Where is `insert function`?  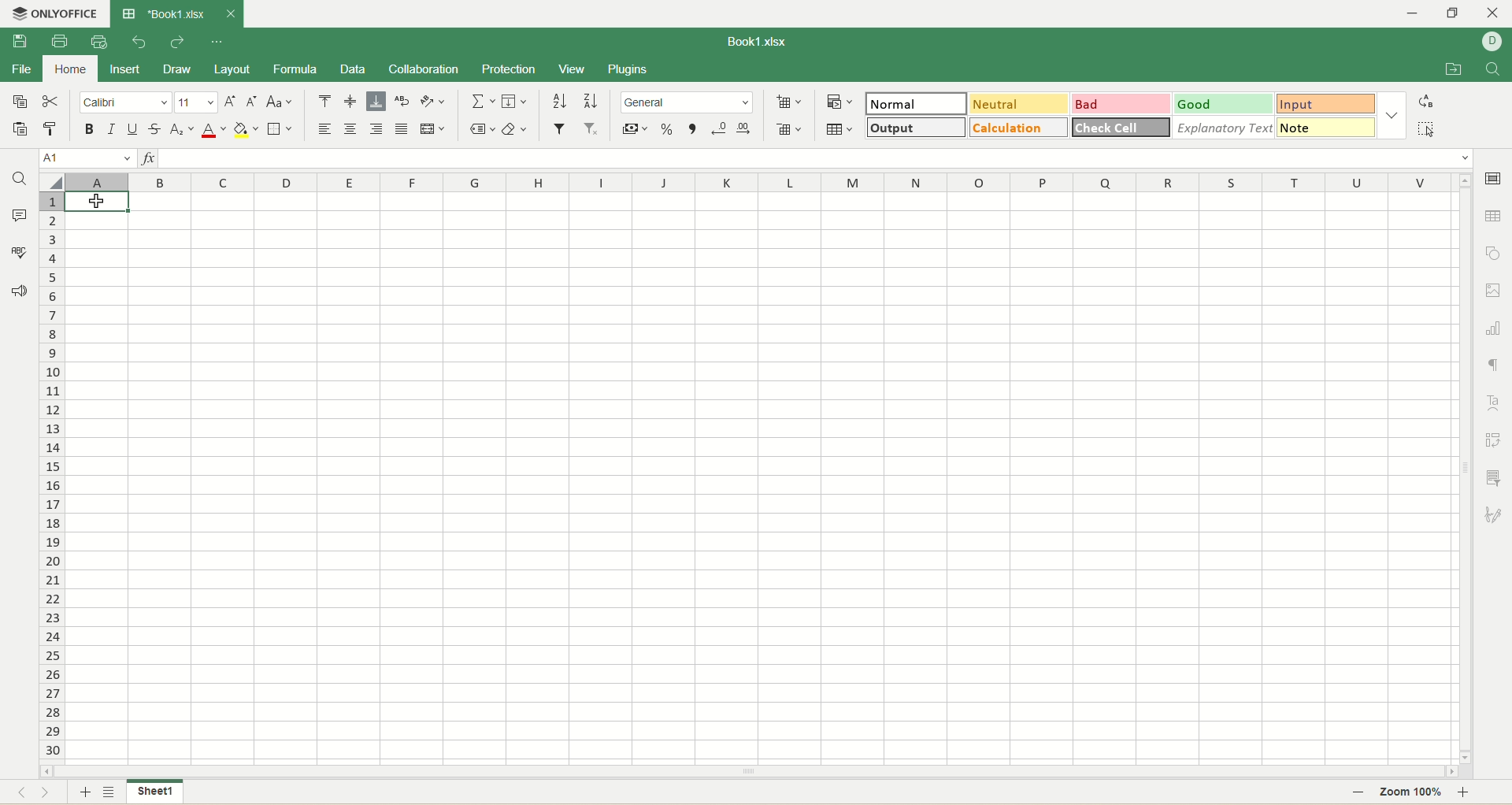 insert function is located at coordinates (148, 158).